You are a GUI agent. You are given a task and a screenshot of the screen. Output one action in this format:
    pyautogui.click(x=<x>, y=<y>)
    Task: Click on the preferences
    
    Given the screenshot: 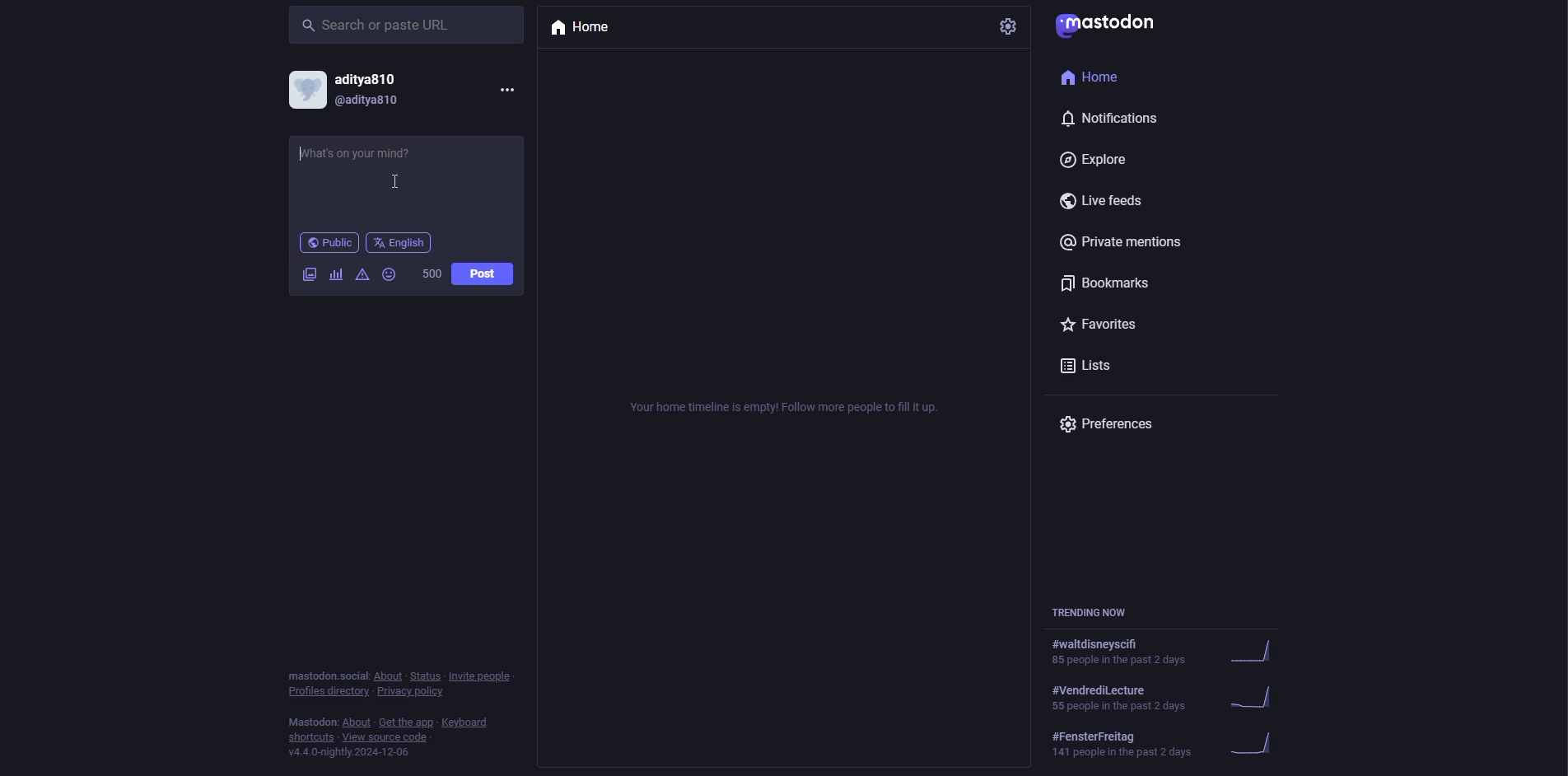 What is the action you would take?
    pyautogui.click(x=1111, y=428)
    